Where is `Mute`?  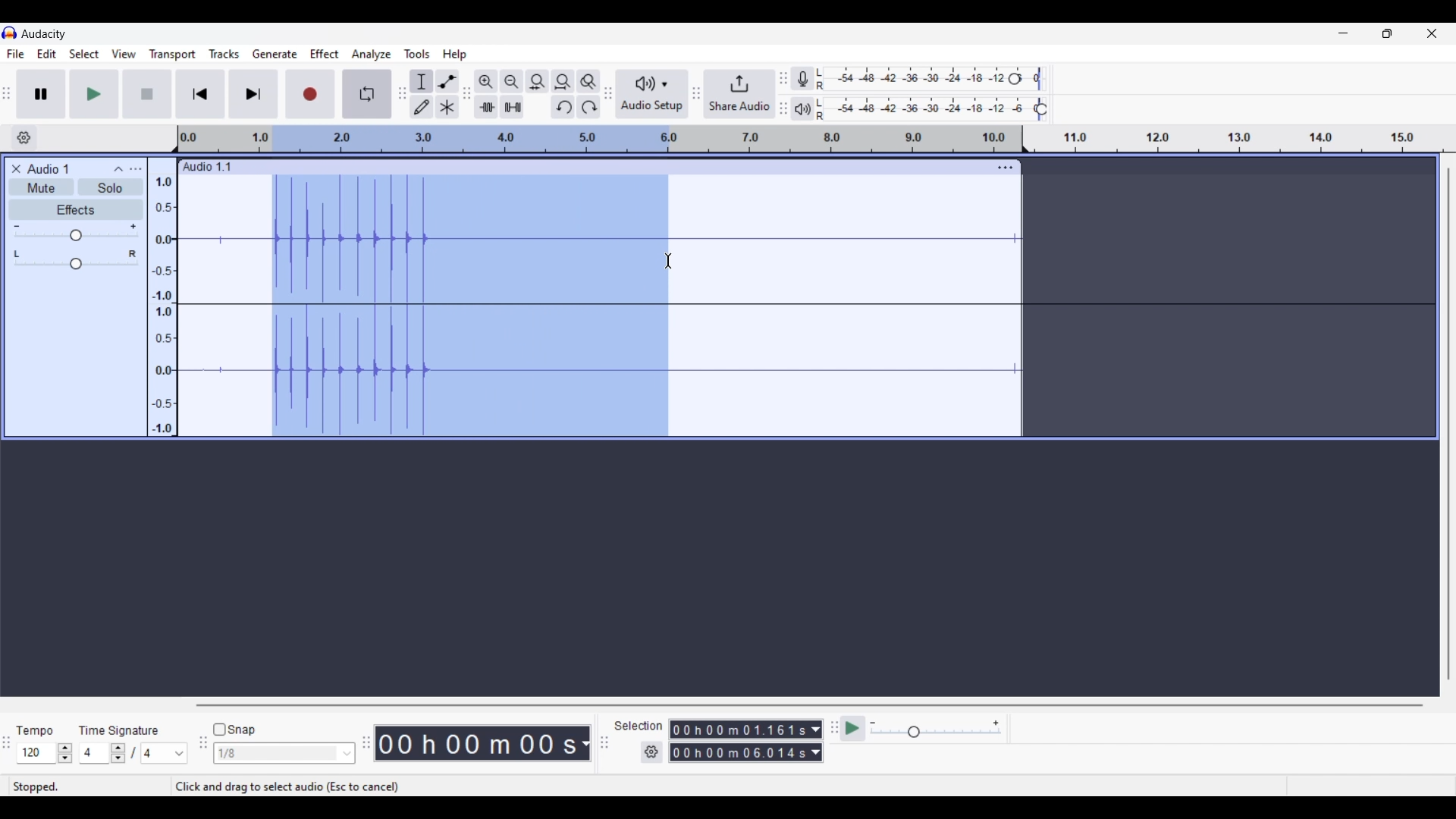
Mute is located at coordinates (41, 187).